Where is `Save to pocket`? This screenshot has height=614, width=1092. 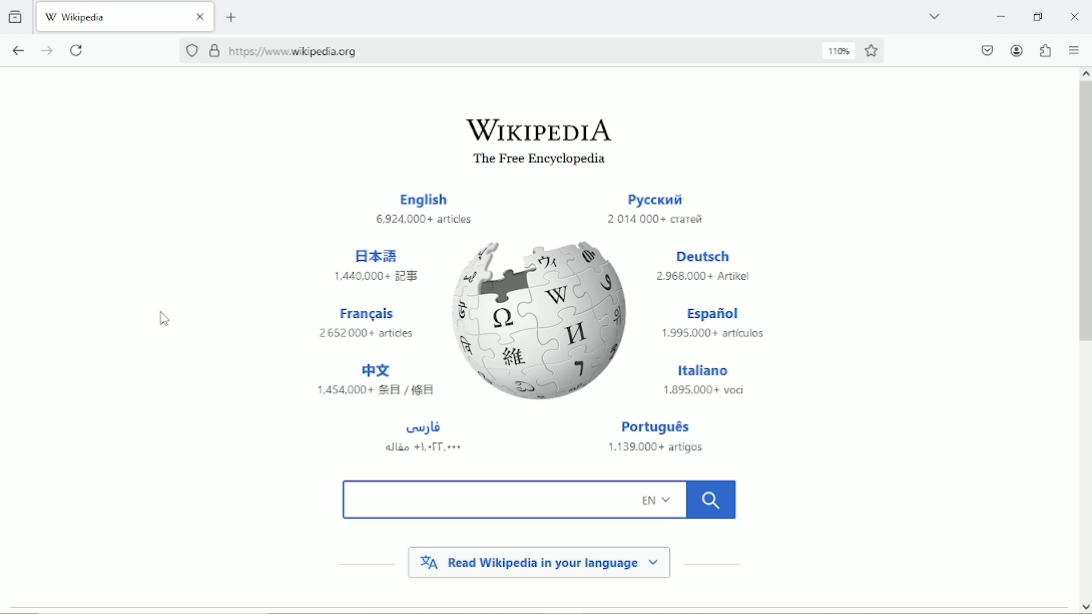
Save to pocket is located at coordinates (985, 51).